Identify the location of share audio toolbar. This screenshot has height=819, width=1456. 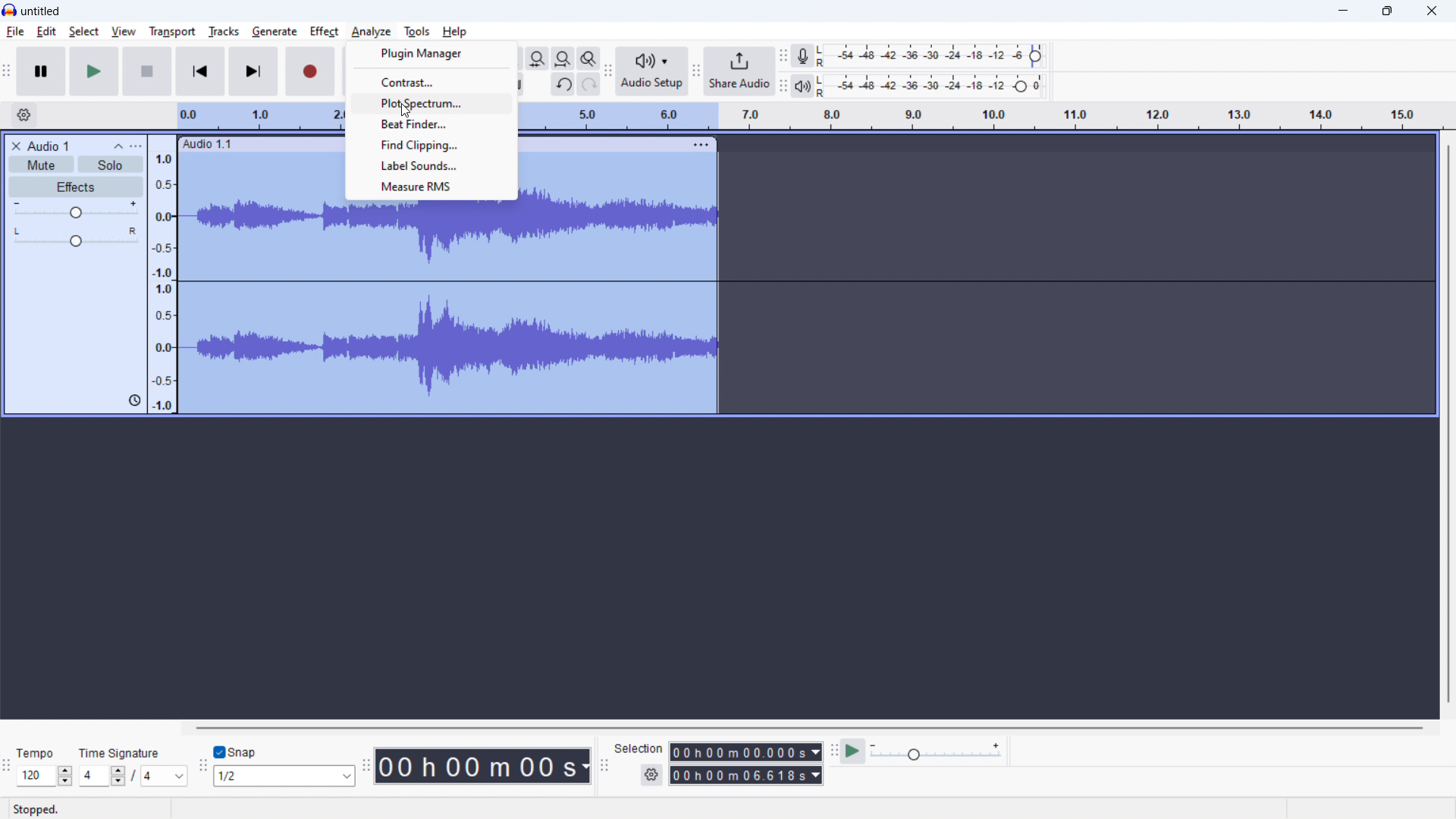
(696, 73).